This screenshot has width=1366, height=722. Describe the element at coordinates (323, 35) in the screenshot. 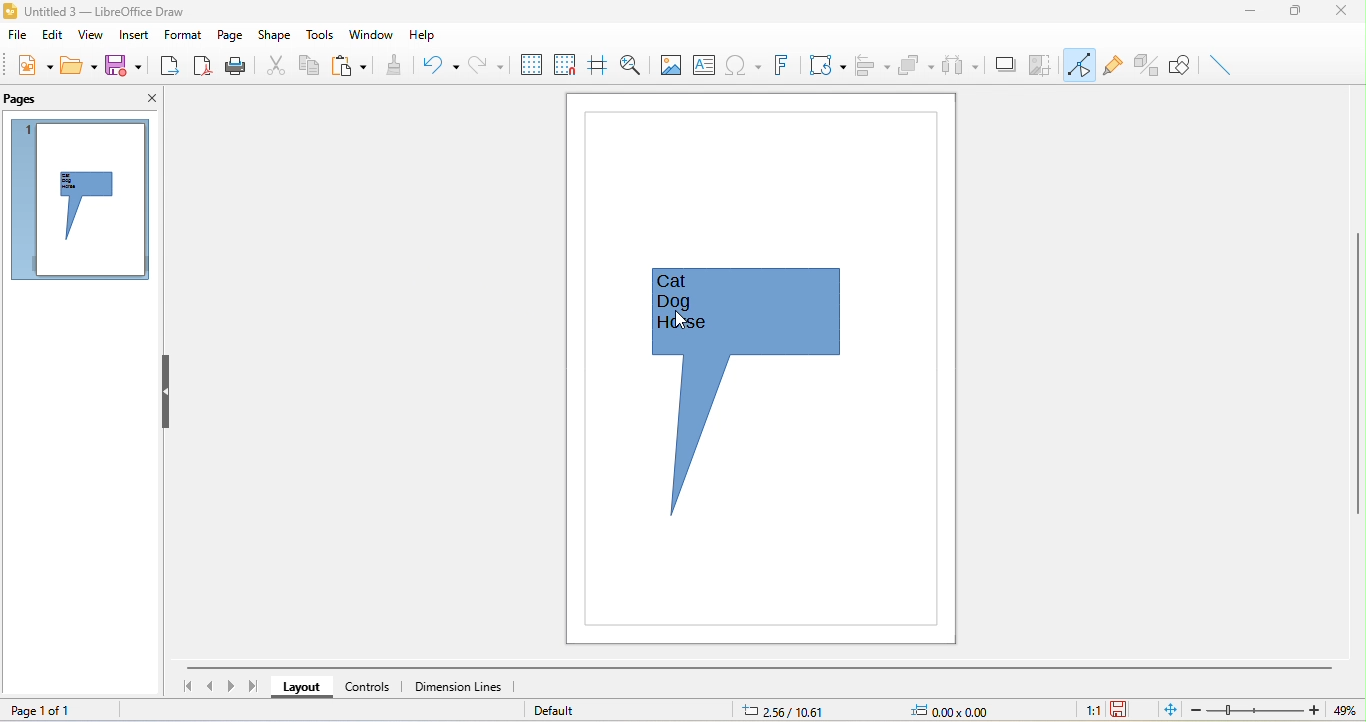

I see `tools` at that location.